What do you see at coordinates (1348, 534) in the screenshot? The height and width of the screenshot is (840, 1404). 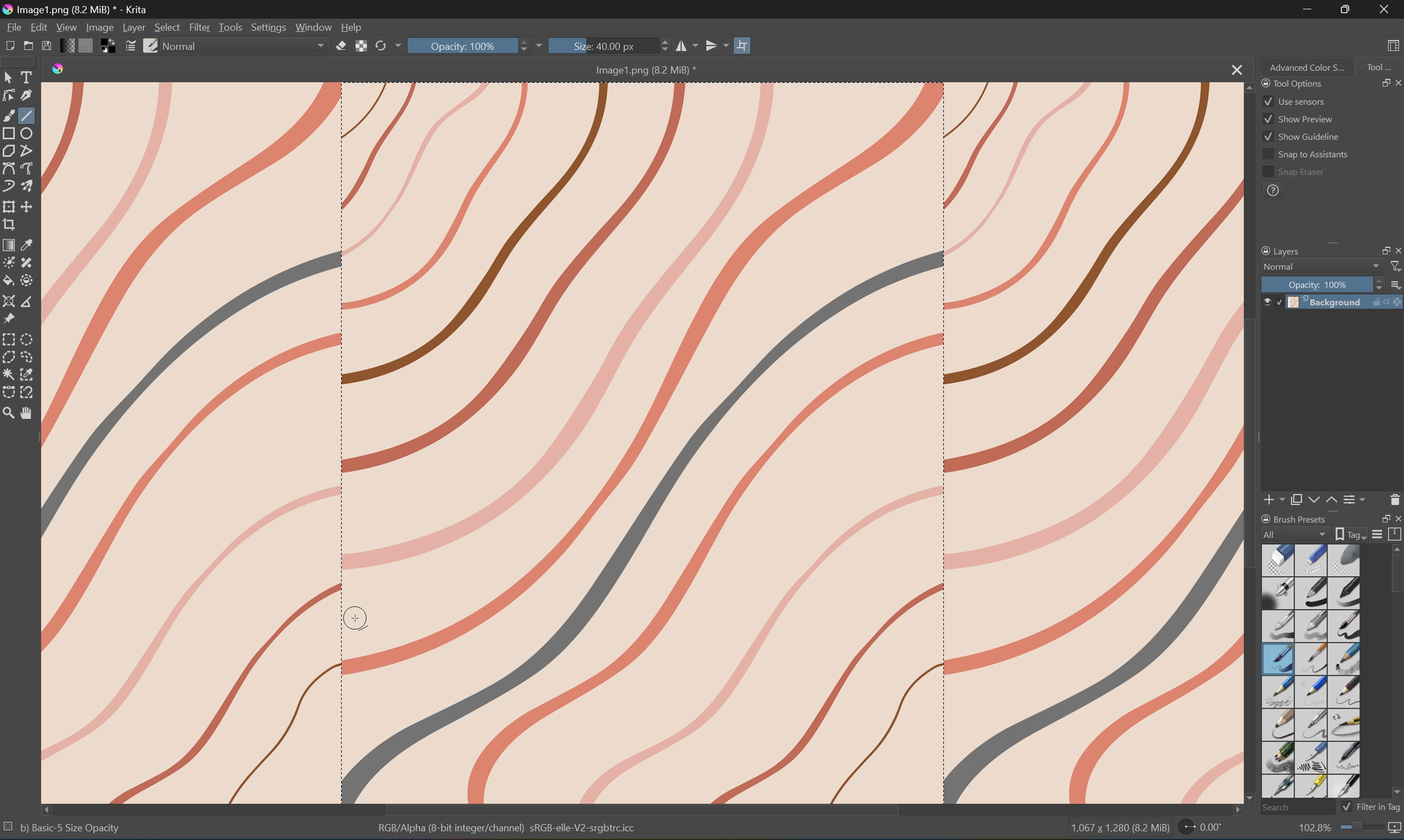 I see `Show the tag box options` at bounding box center [1348, 534].